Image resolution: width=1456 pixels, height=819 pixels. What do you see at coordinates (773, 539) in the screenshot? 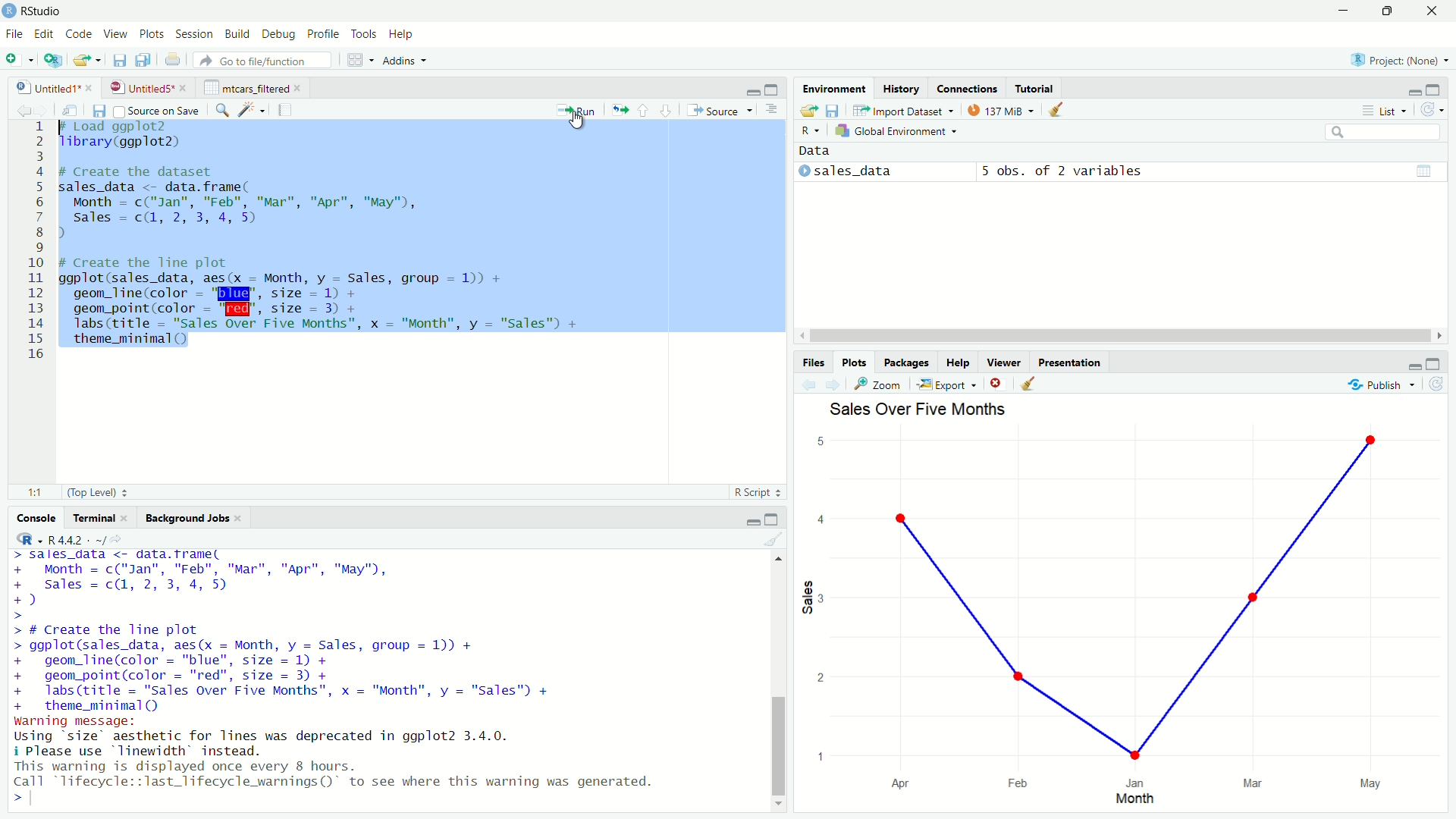
I see `clear console` at bounding box center [773, 539].